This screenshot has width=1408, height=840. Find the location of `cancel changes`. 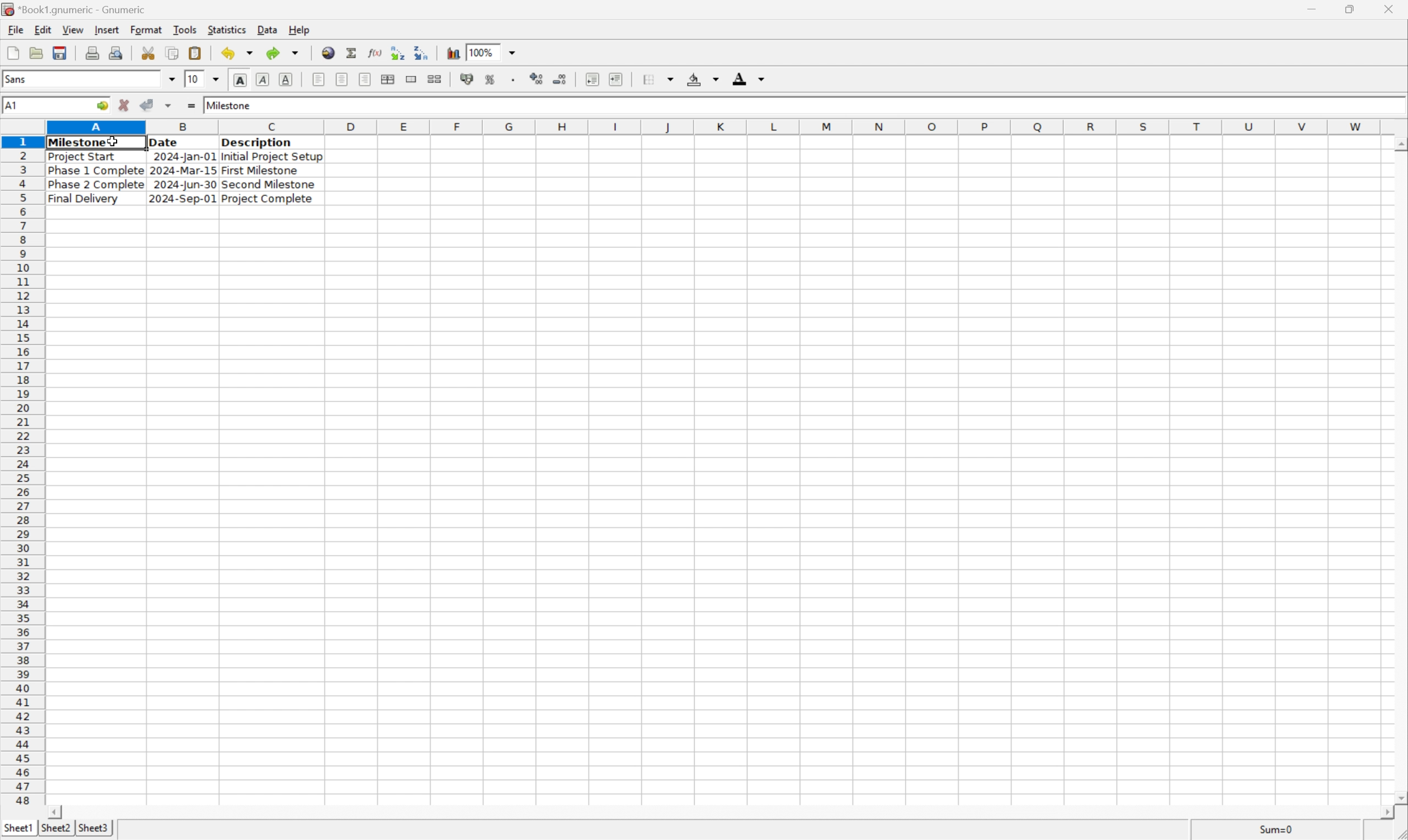

cancel changes is located at coordinates (128, 106).